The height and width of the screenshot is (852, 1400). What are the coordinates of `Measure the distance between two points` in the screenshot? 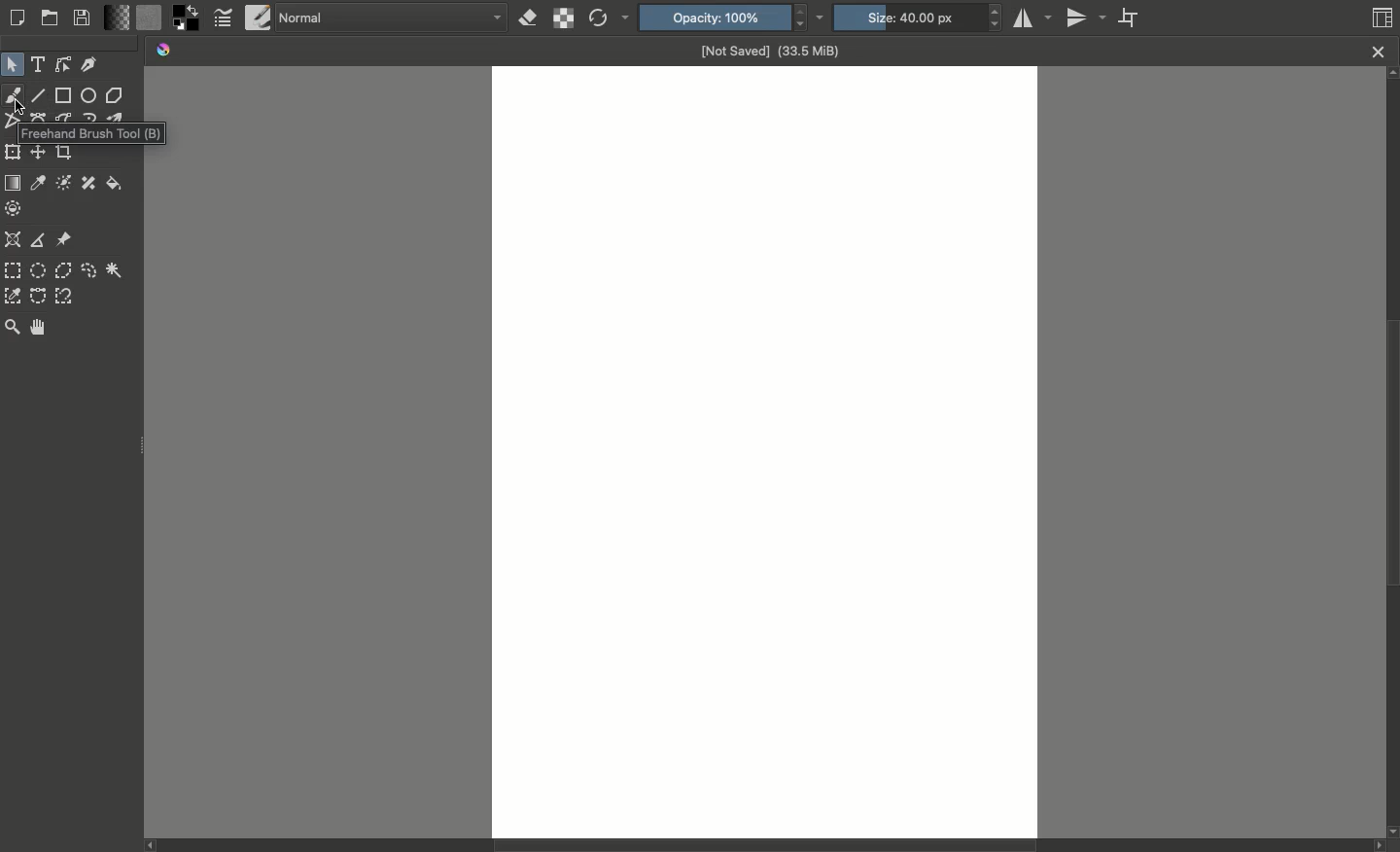 It's located at (37, 239).